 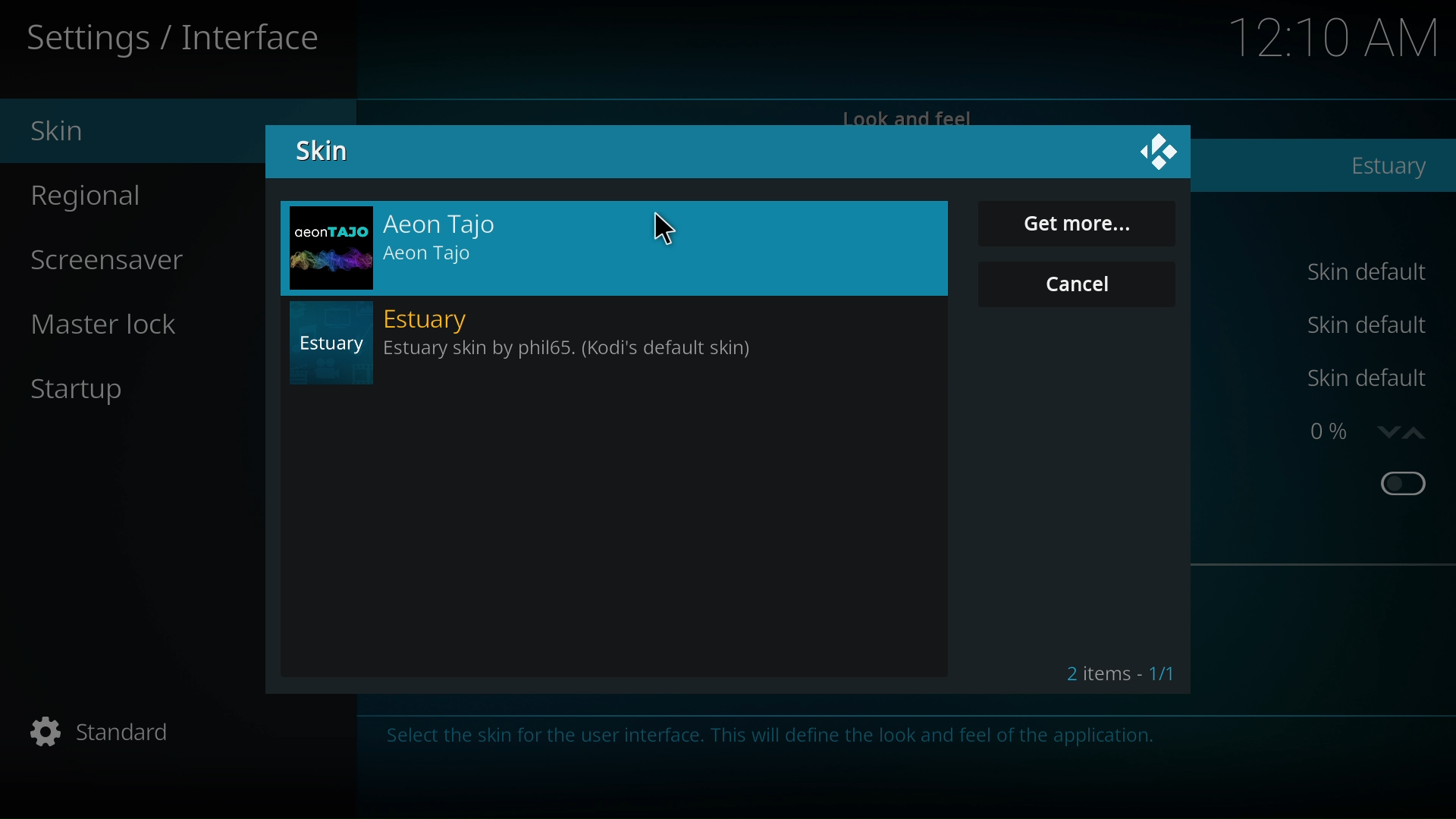 I want to click on Estuary
Estuary skin by phil65. (Kodi's default skin), so click(x=617, y=348).